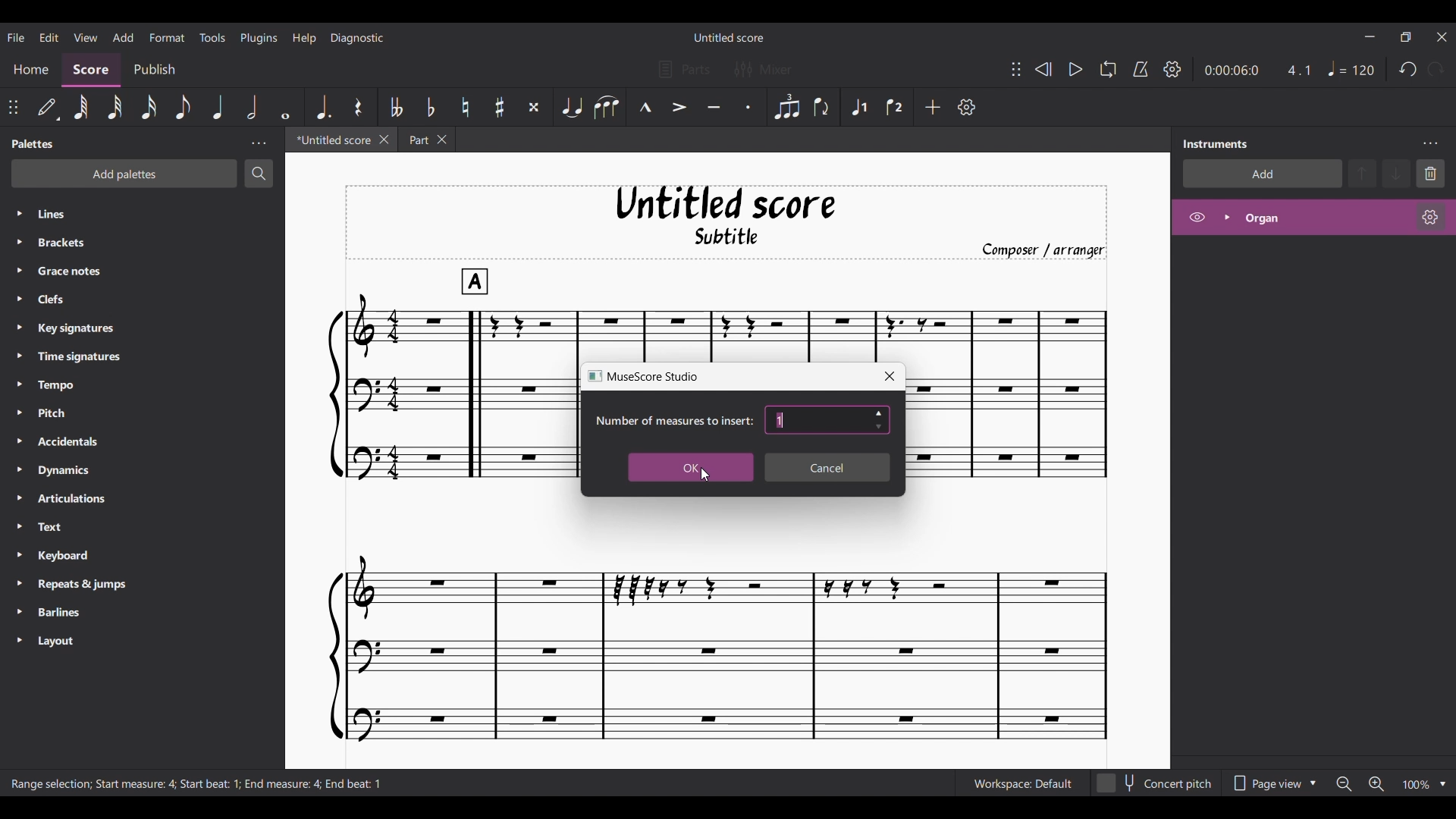 This screenshot has height=819, width=1456. Describe the element at coordinates (572, 108) in the screenshot. I see `Tie` at that location.